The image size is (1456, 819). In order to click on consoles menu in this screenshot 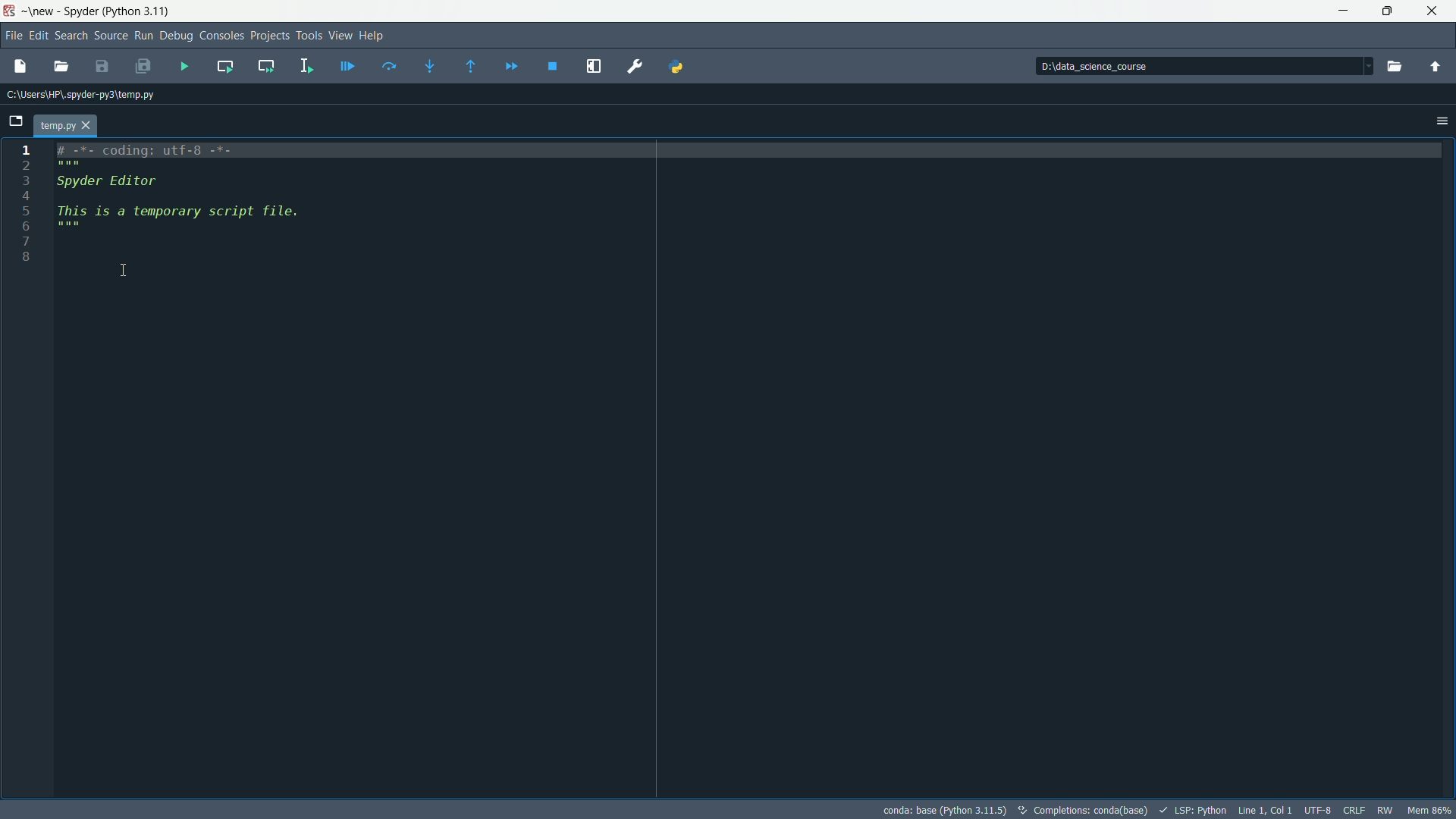, I will do `click(221, 36)`.